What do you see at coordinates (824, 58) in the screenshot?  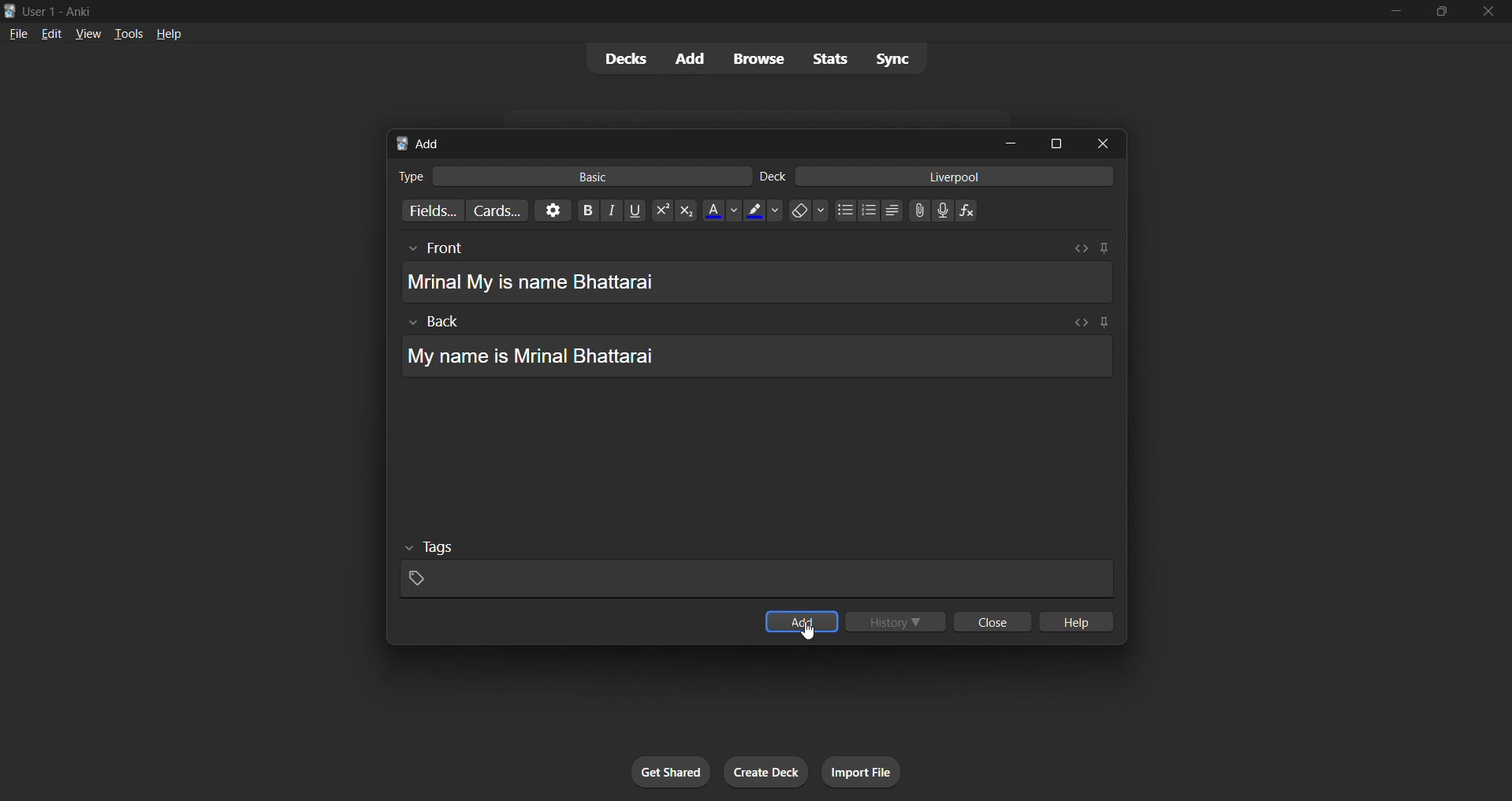 I see `stats` at bounding box center [824, 58].